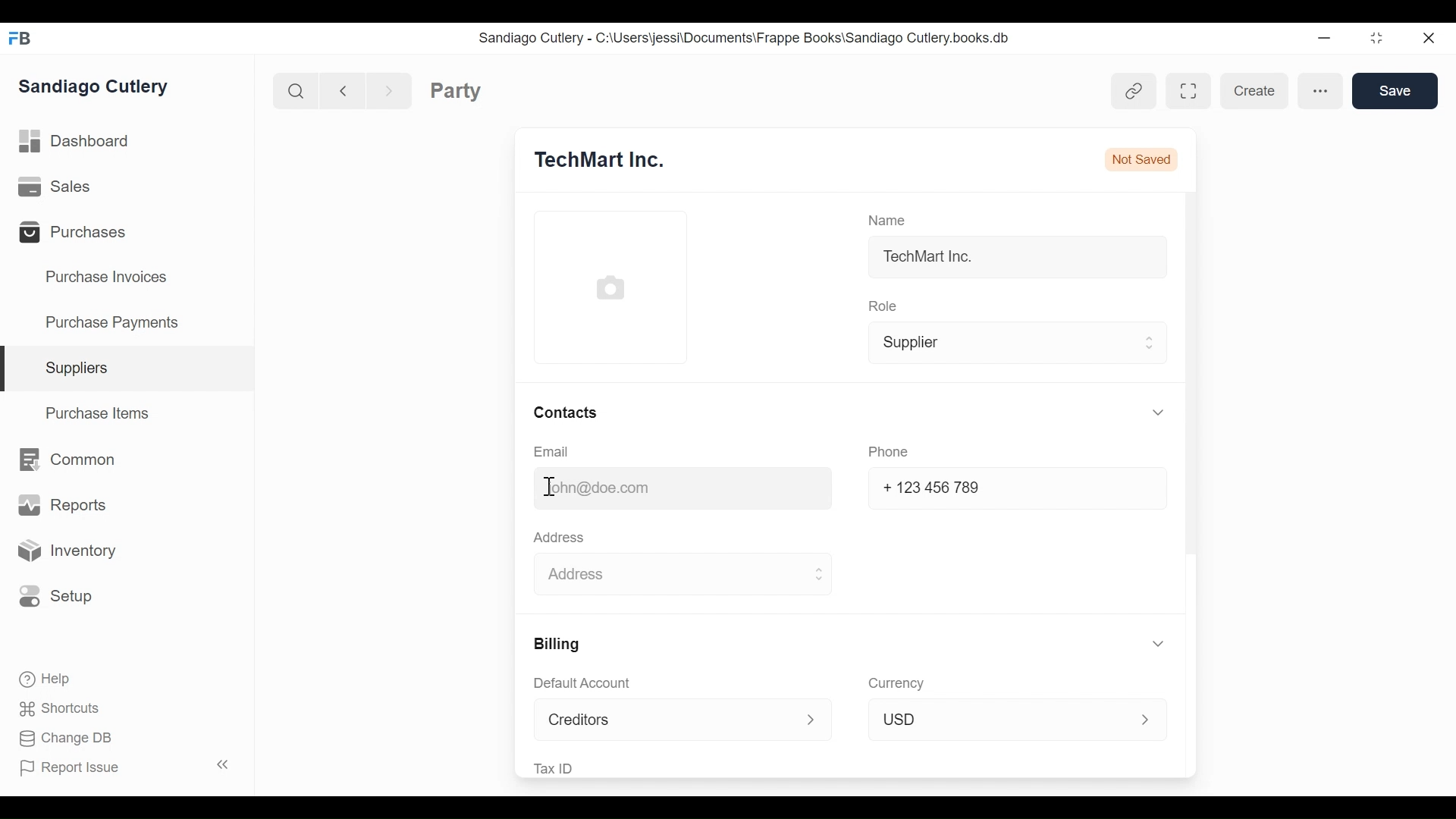  I want to click on  Help, so click(51, 679).